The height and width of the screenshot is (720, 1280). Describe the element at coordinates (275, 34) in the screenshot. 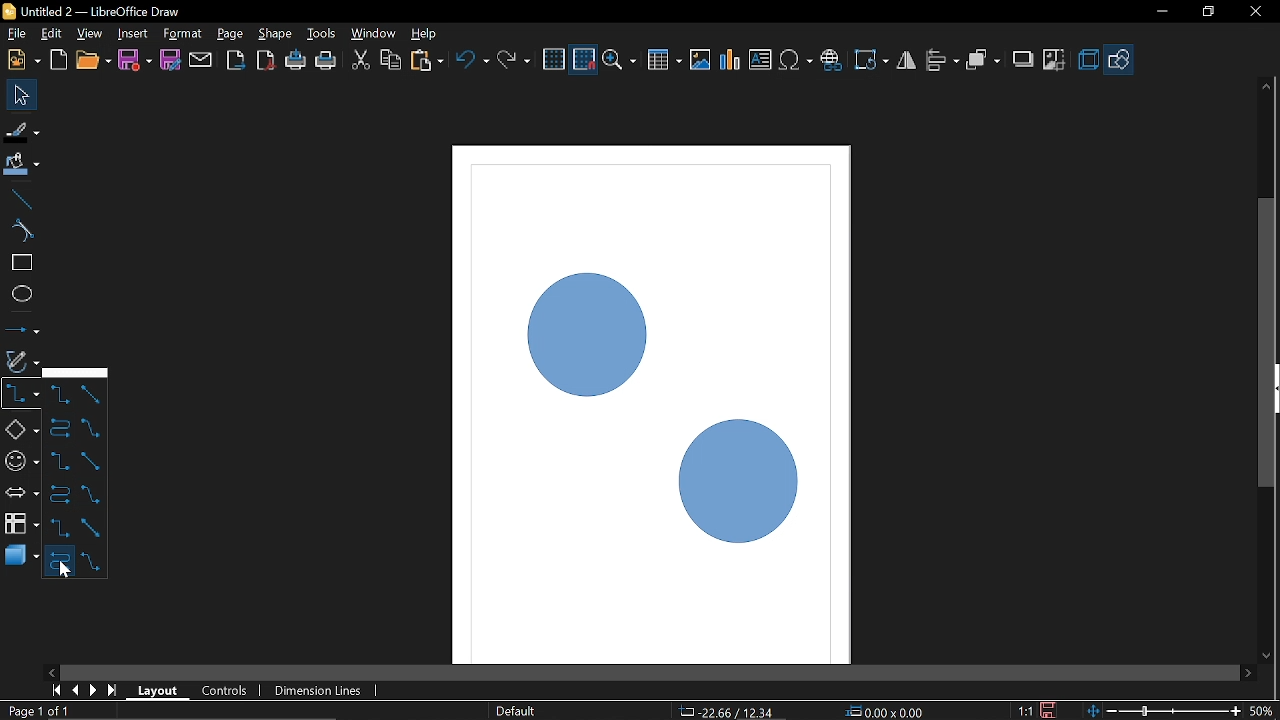

I see `Shape` at that location.